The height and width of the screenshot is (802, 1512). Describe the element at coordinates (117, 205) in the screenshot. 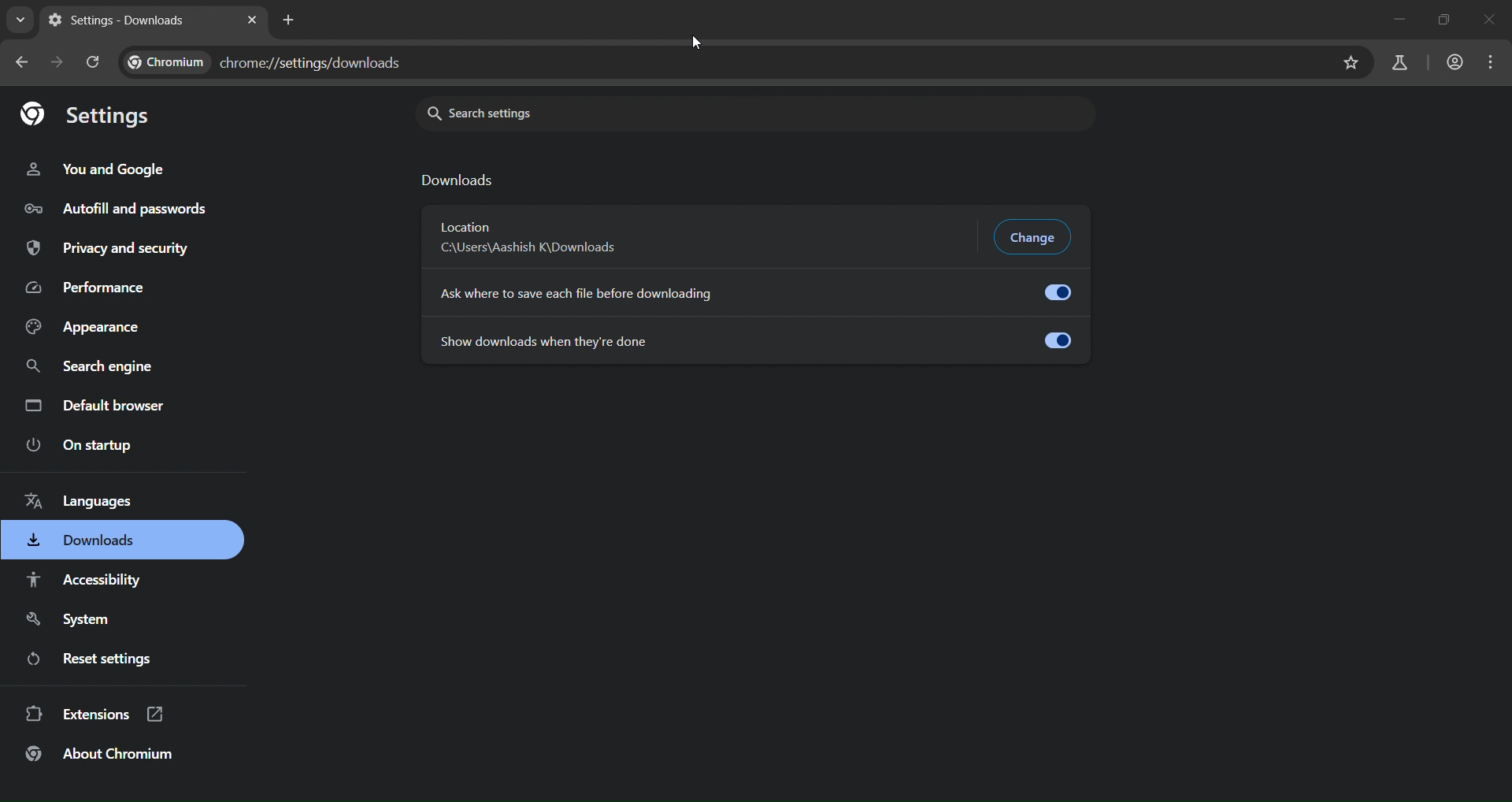

I see `autofill and passwords` at that location.